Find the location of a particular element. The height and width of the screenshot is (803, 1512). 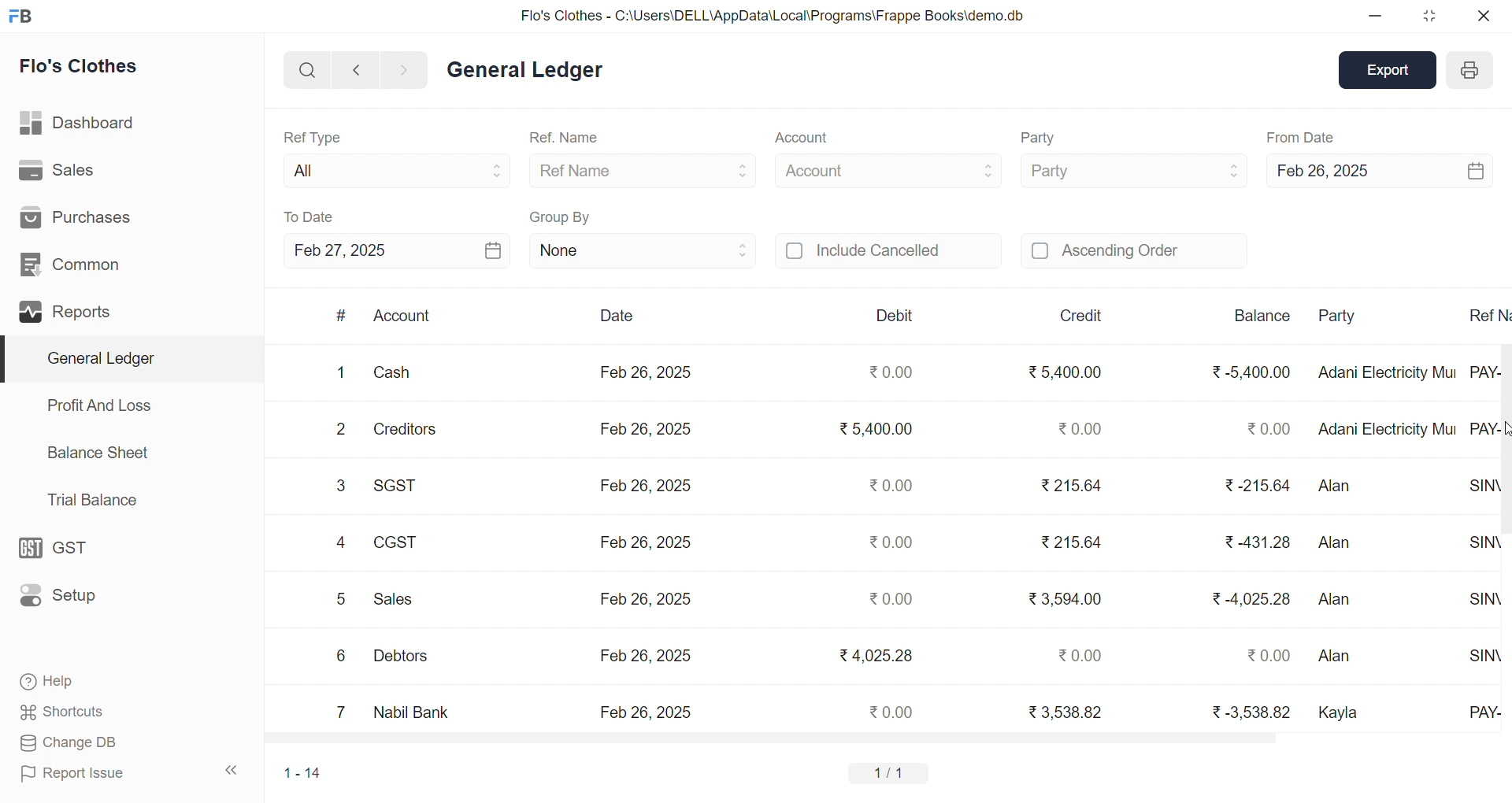

HORIZONTAL SCROLL BAR is located at coordinates (876, 740).